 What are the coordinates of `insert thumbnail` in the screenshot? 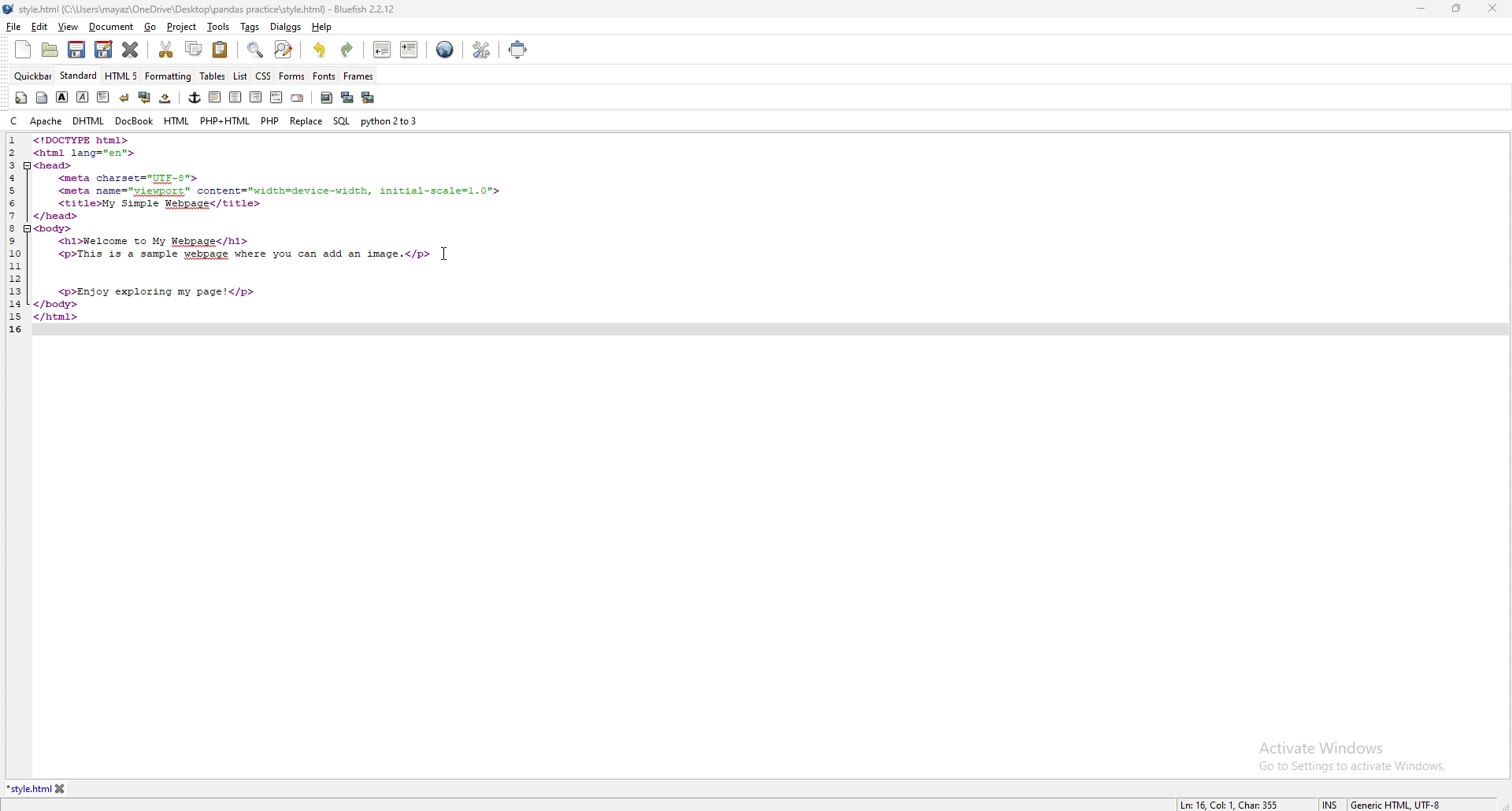 It's located at (346, 98).